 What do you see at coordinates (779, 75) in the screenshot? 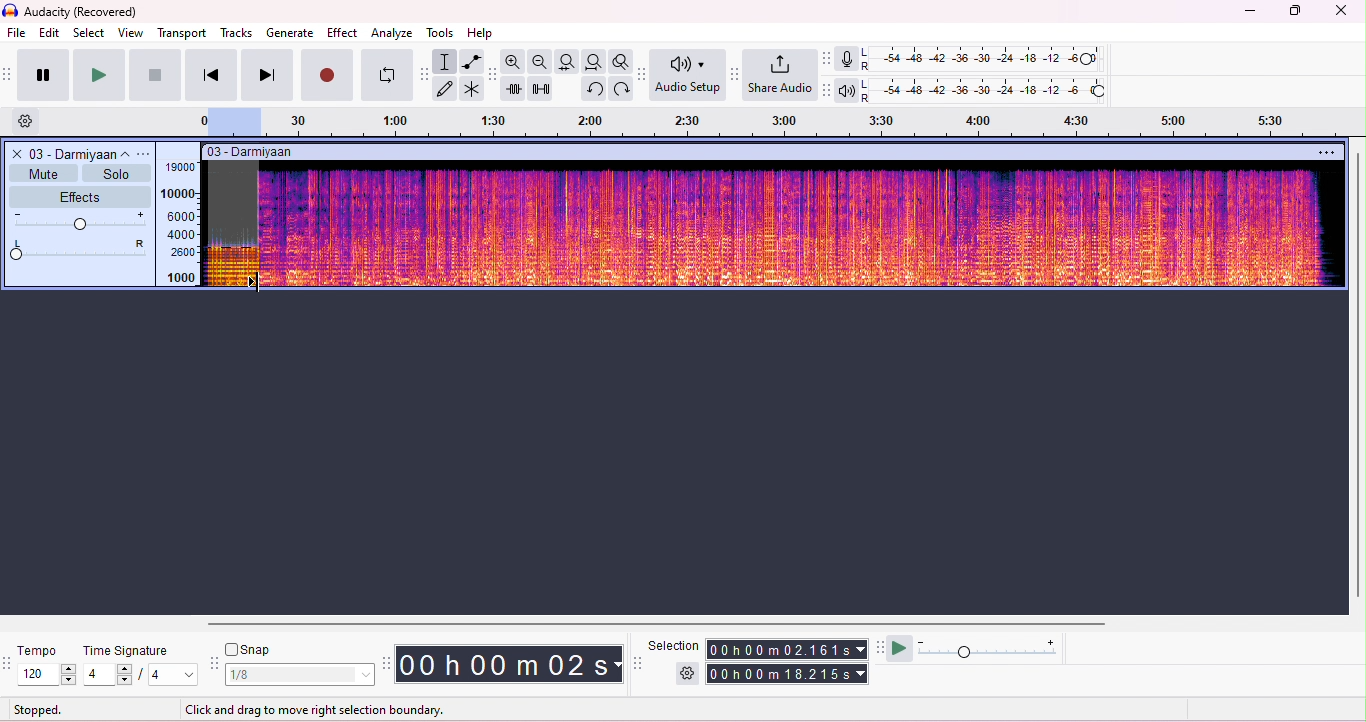
I see `share audio` at bounding box center [779, 75].